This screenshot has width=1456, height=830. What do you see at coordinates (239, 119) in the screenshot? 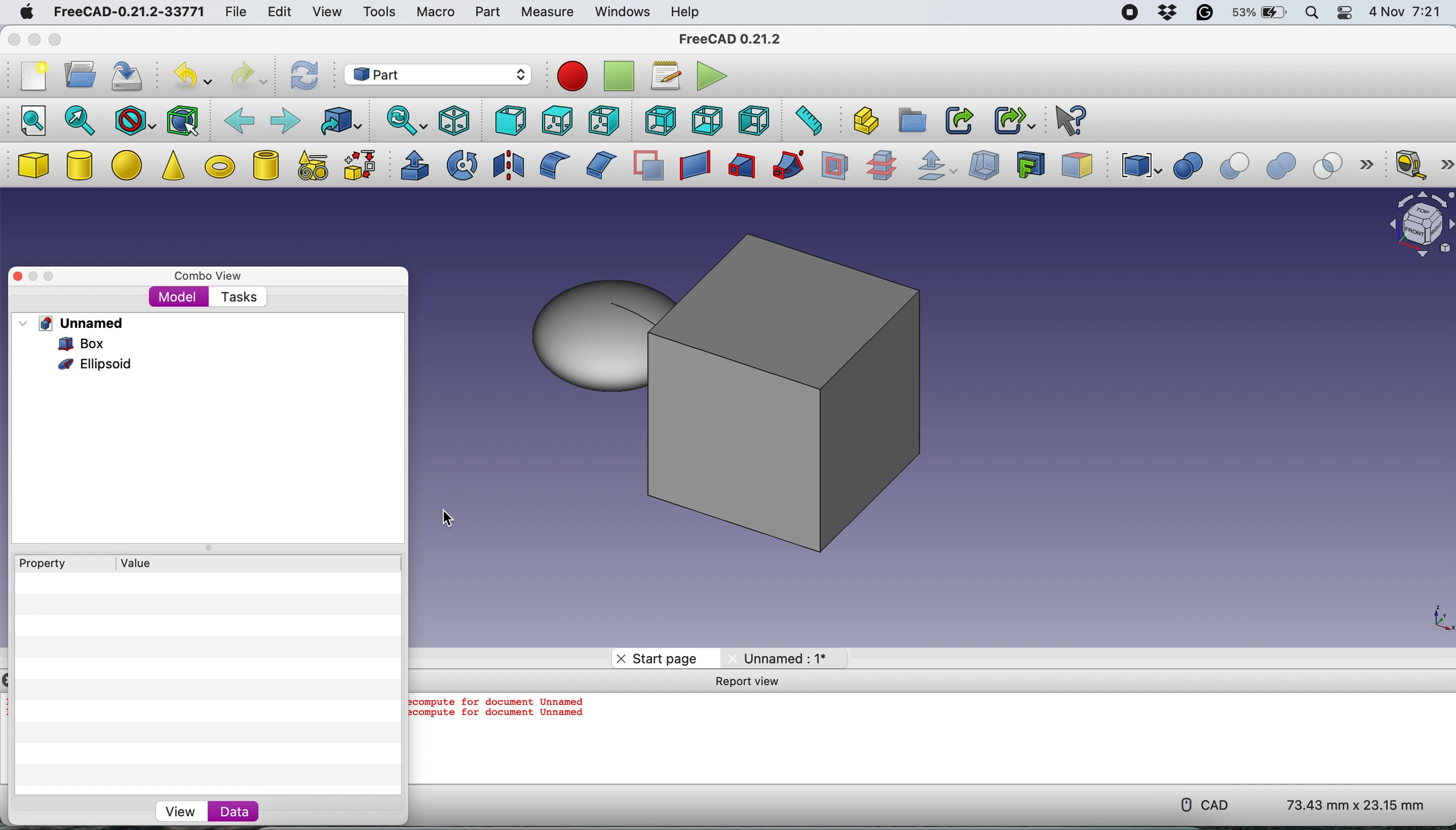
I see `backward` at bounding box center [239, 119].